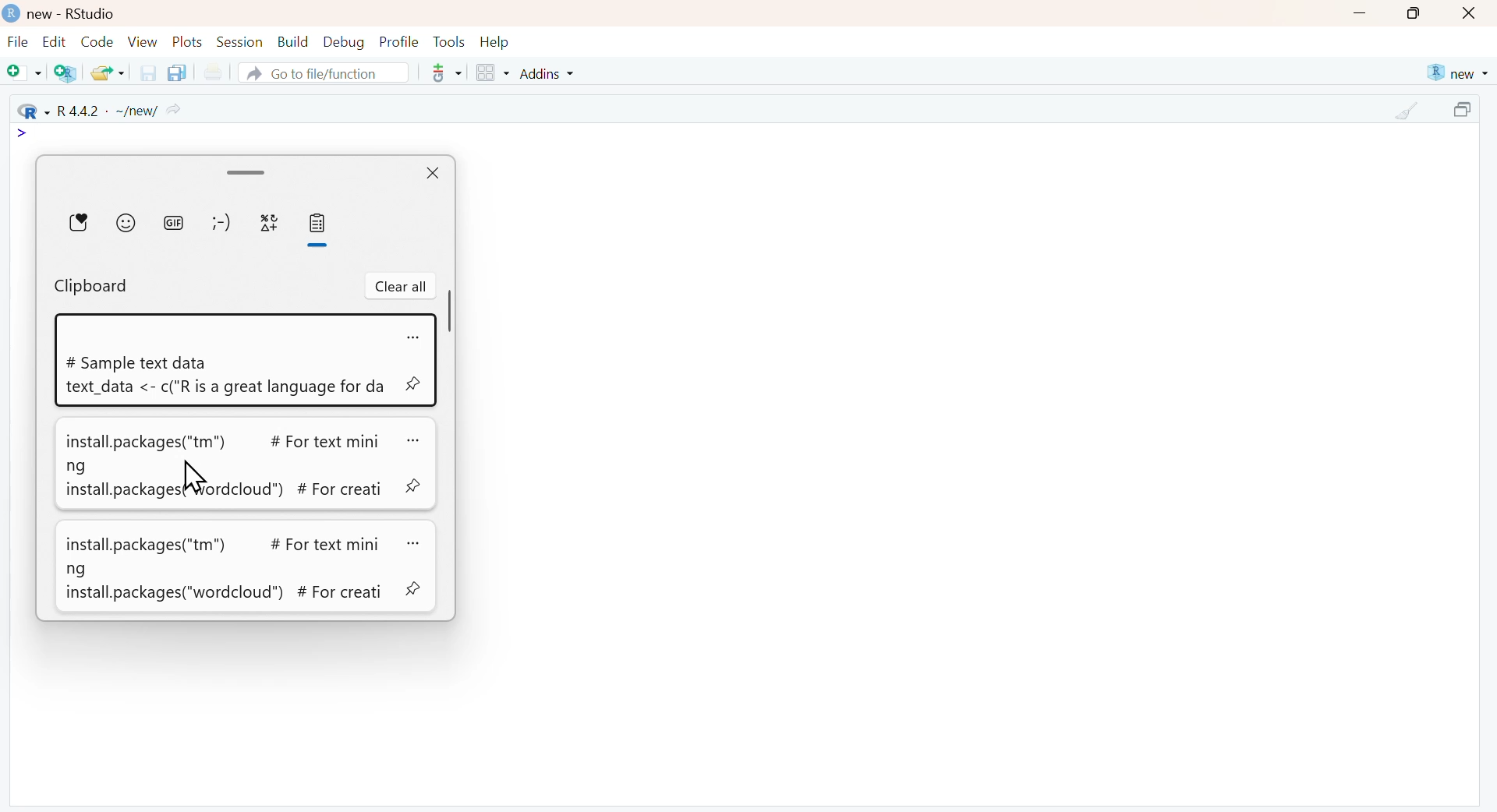 Image resolution: width=1497 pixels, height=812 pixels. What do you see at coordinates (345, 44) in the screenshot?
I see `Debug` at bounding box center [345, 44].